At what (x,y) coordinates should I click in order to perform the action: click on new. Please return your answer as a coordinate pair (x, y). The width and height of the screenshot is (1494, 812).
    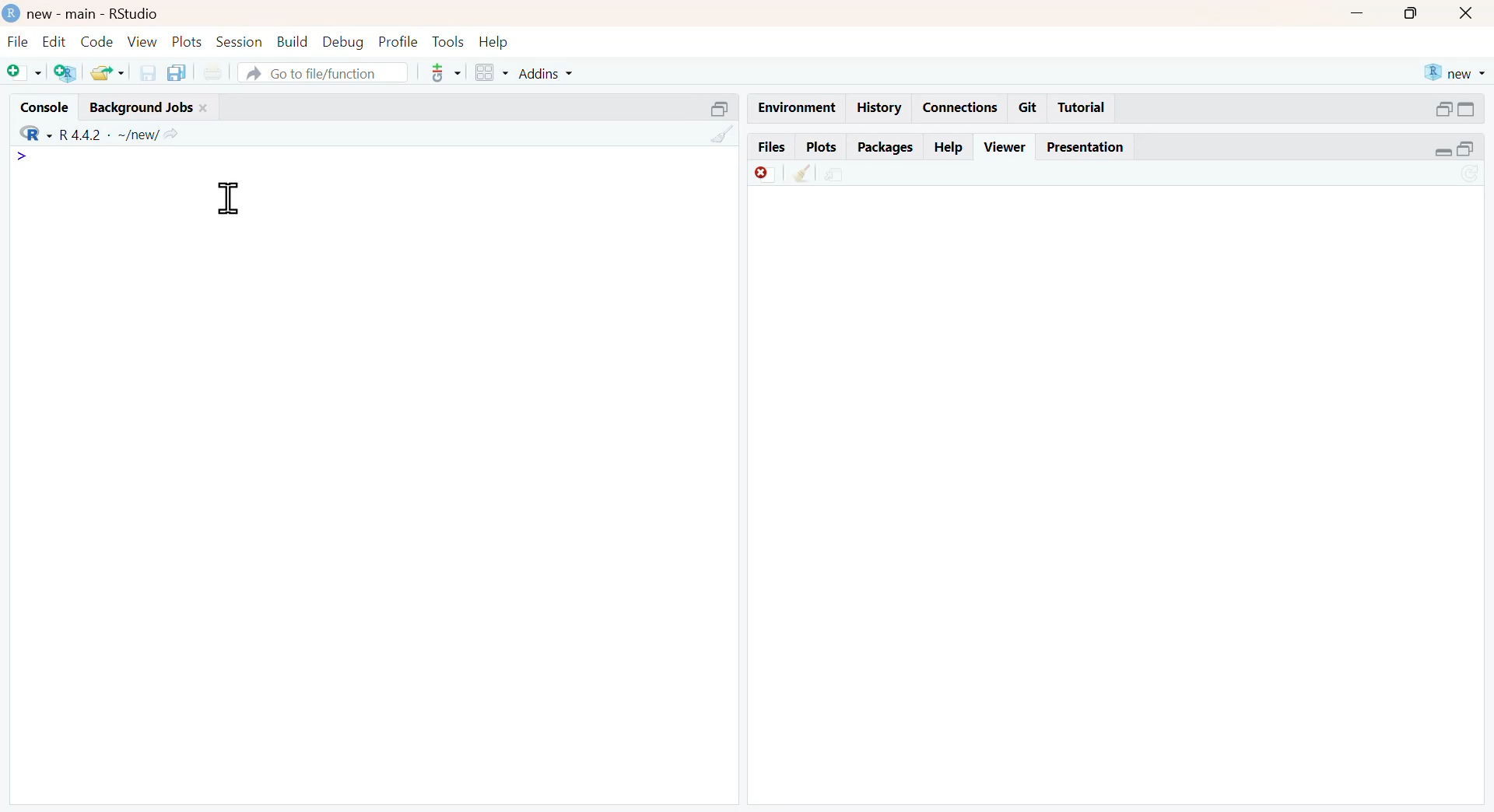
    Looking at the image, I should click on (1456, 72).